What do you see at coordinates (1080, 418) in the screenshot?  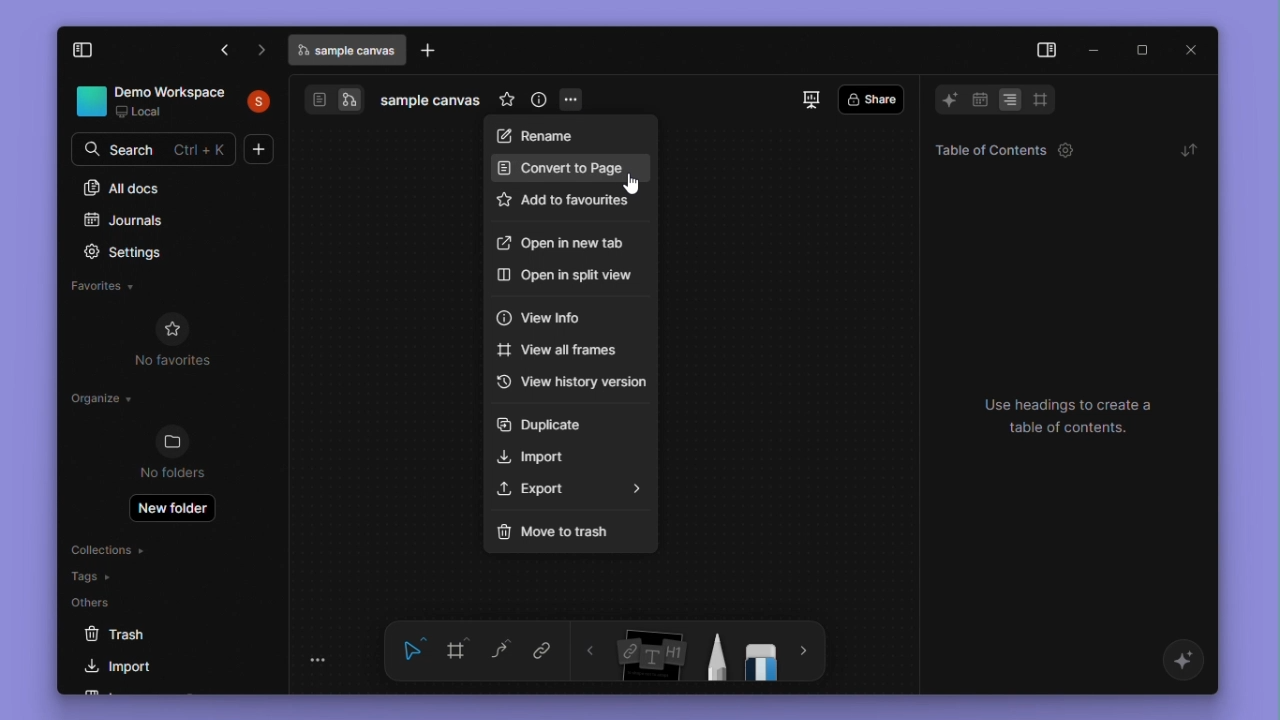 I see `text` at bounding box center [1080, 418].